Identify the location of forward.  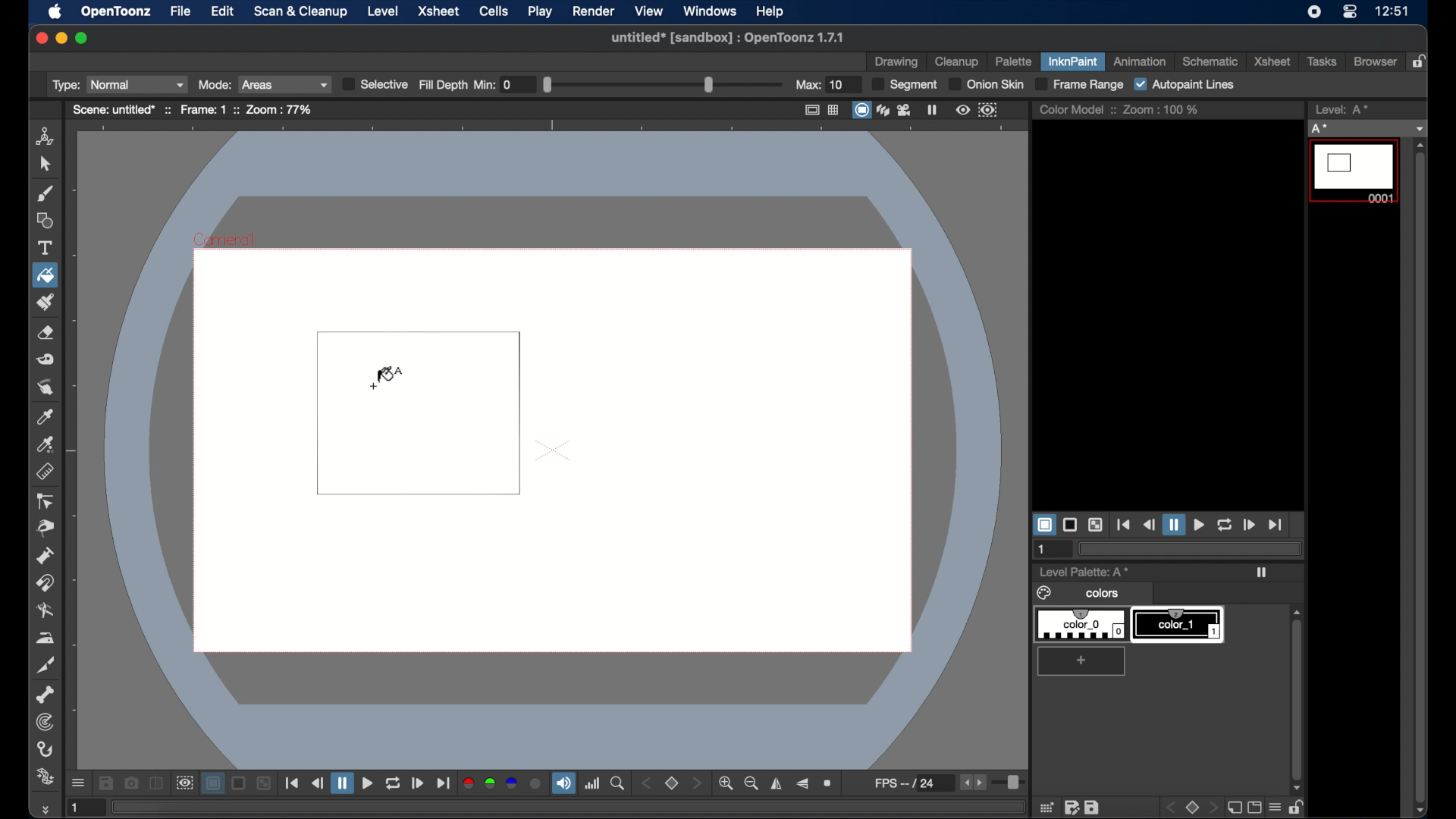
(418, 783).